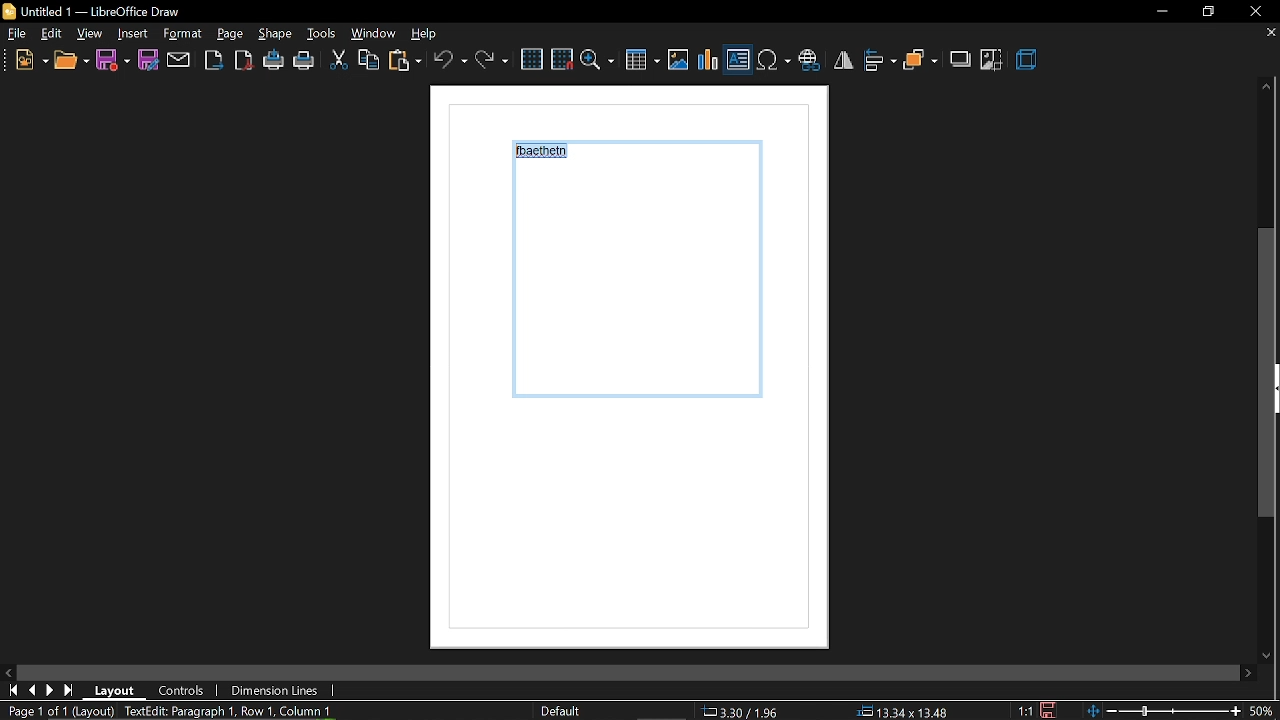 This screenshot has height=720, width=1280. What do you see at coordinates (598, 59) in the screenshot?
I see `zoom` at bounding box center [598, 59].